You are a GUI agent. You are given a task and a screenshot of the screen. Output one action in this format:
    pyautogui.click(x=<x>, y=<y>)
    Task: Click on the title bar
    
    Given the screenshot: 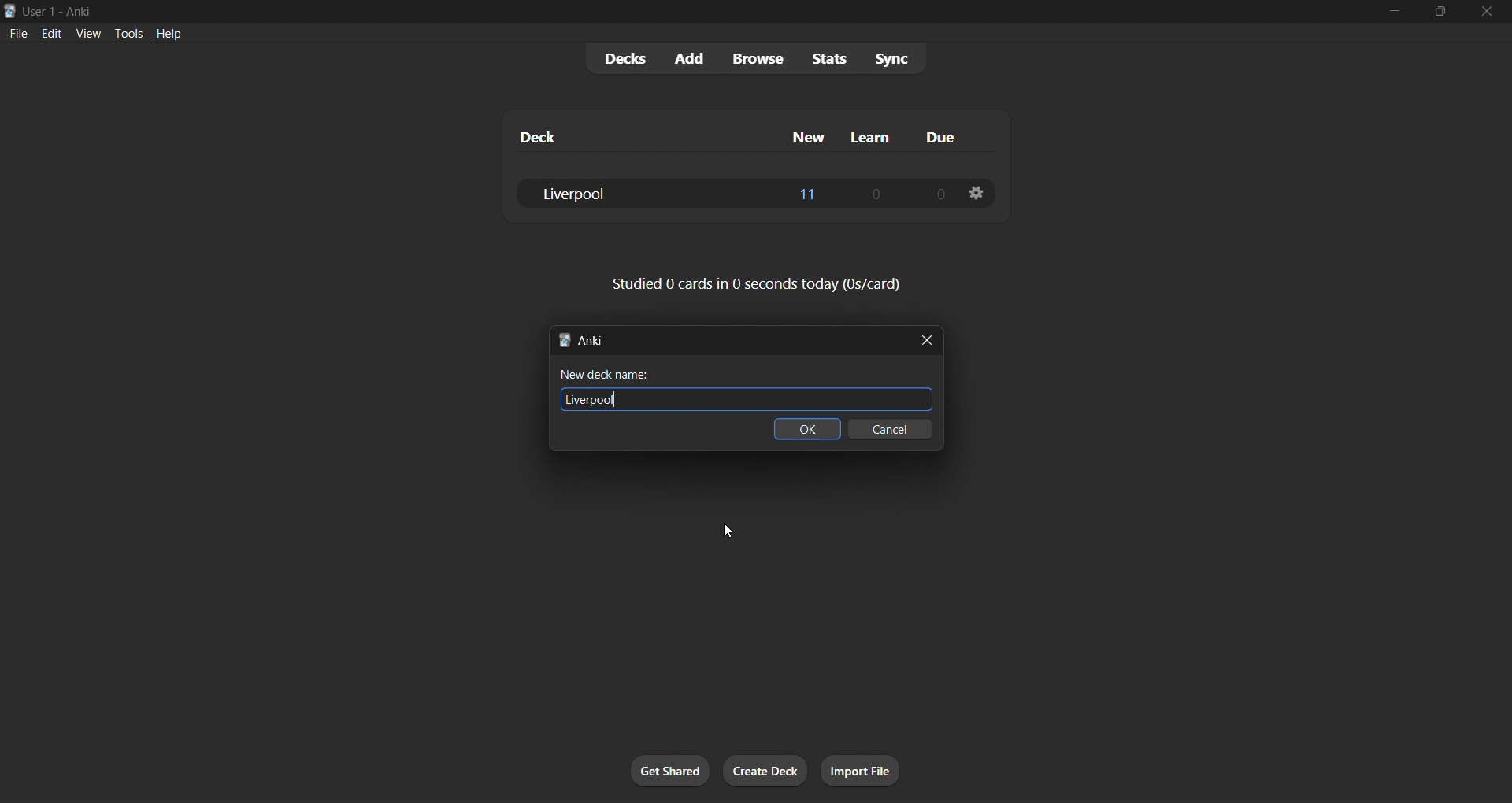 What is the action you would take?
    pyautogui.click(x=651, y=13)
    